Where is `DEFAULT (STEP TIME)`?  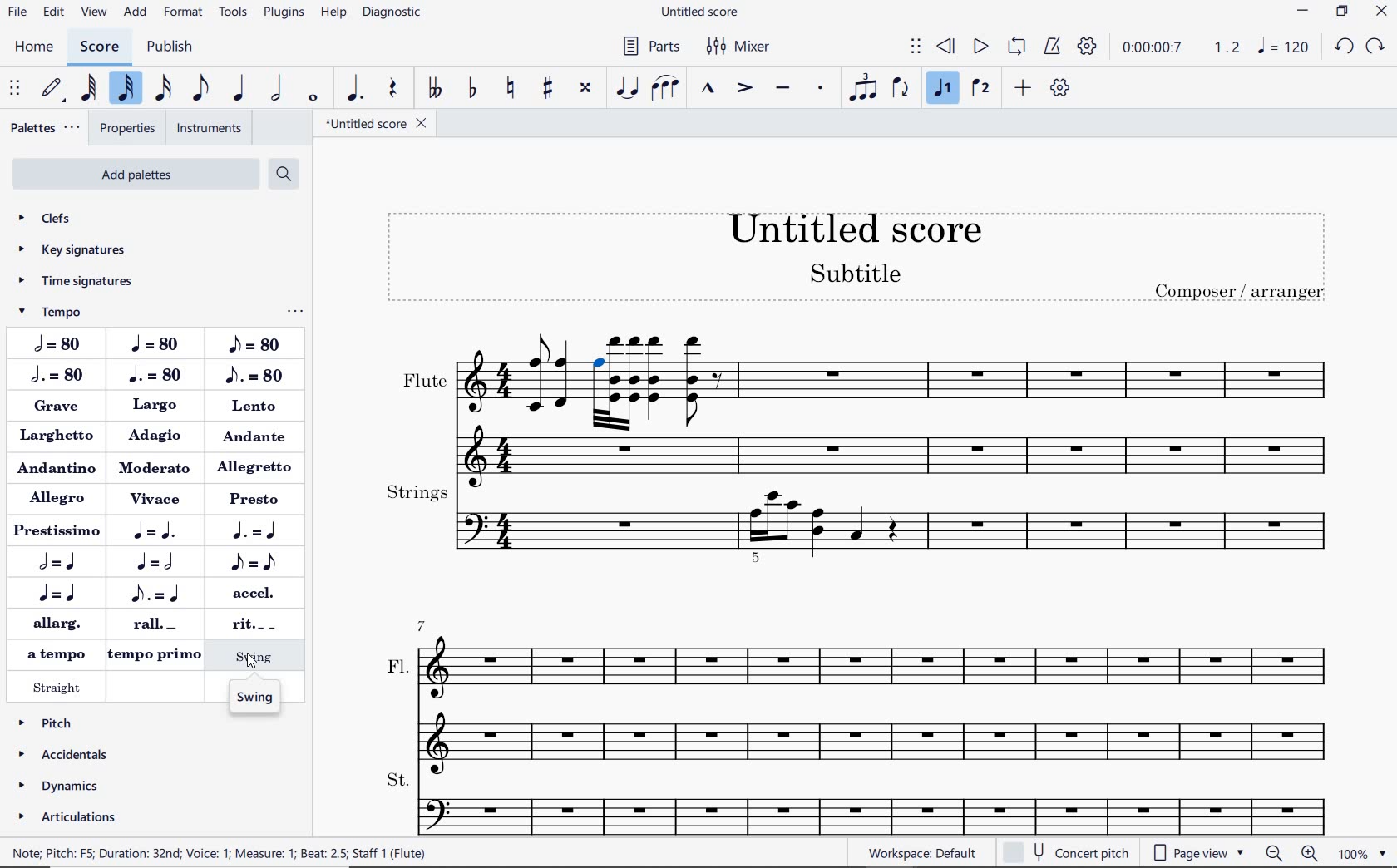 DEFAULT (STEP TIME) is located at coordinates (52, 88).